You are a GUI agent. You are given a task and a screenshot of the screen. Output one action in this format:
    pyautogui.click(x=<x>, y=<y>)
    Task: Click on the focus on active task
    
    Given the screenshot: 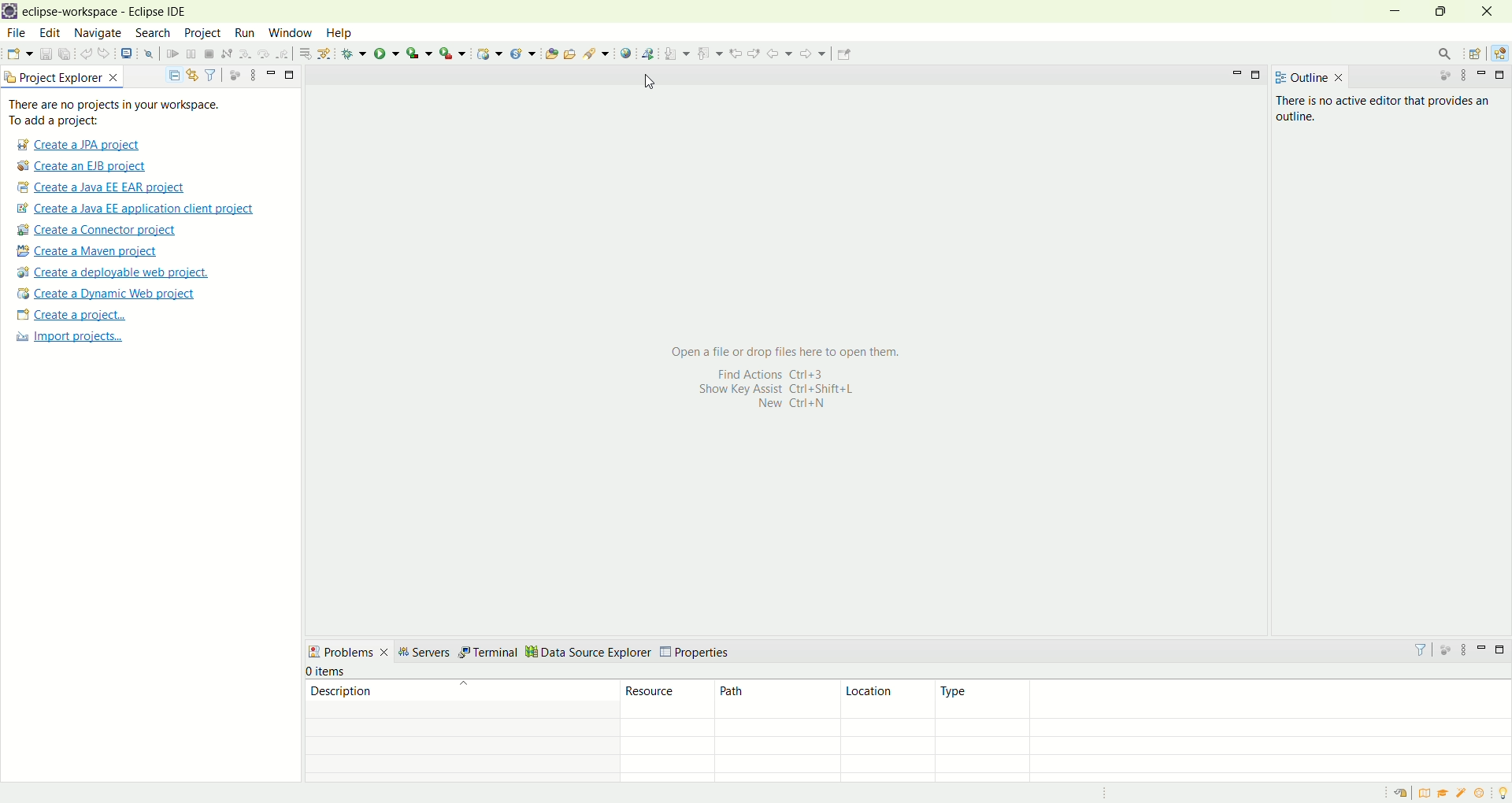 What is the action you would take?
    pyautogui.click(x=1444, y=649)
    